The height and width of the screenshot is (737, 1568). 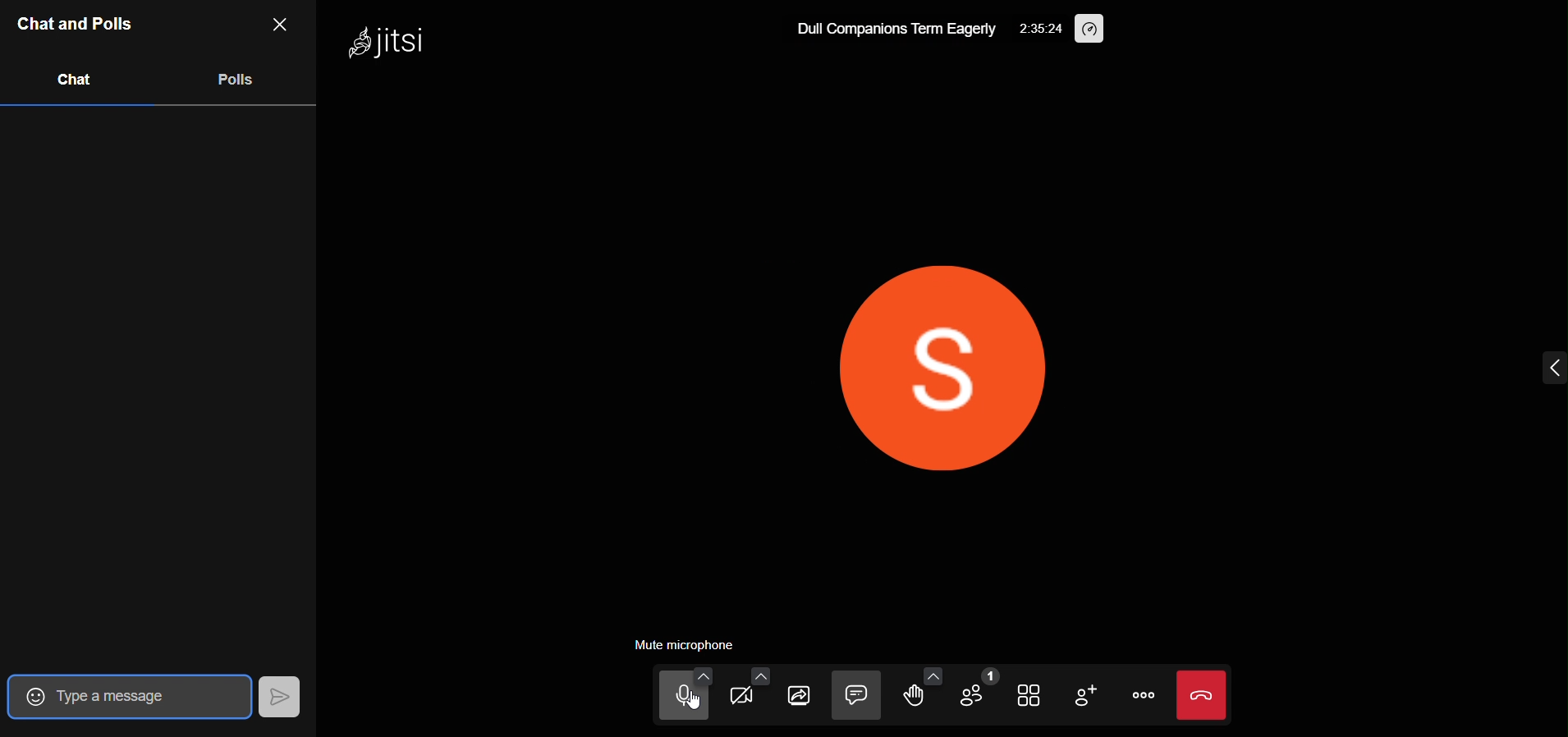 What do you see at coordinates (282, 24) in the screenshot?
I see `close chat` at bounding box center [282, 24].